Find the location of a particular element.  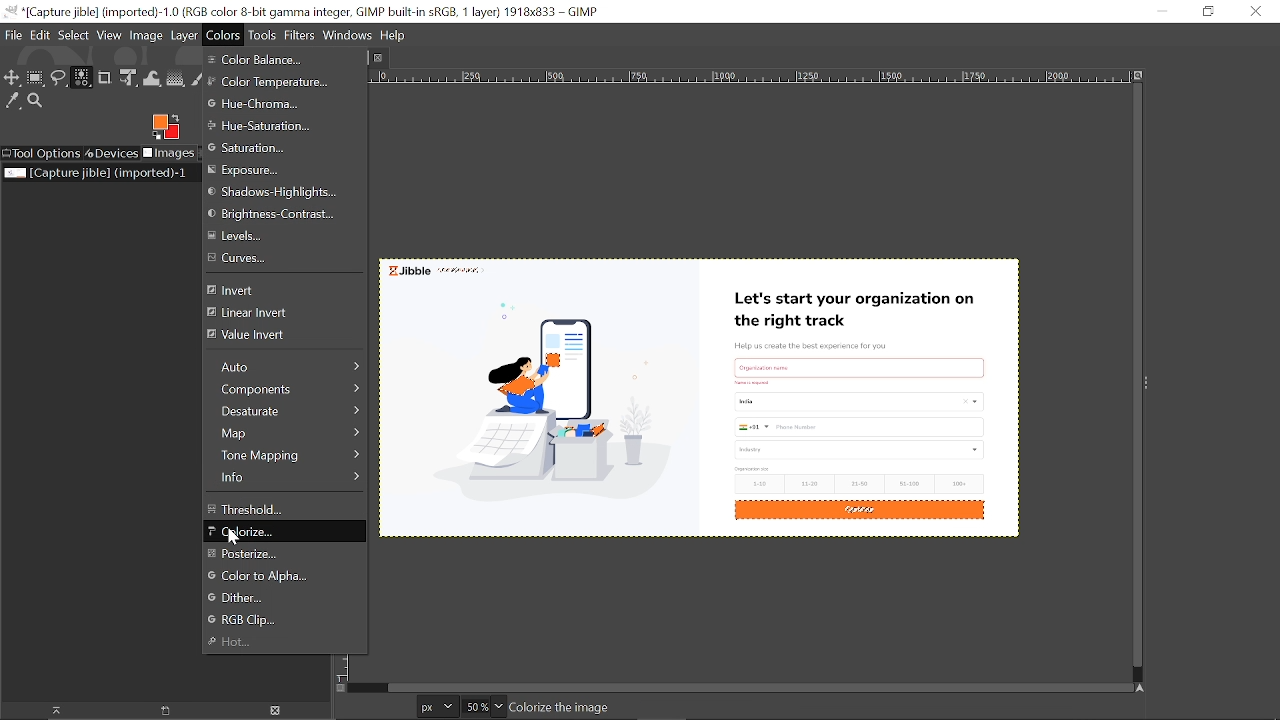

Move tool is located at coordinates (12, 79).